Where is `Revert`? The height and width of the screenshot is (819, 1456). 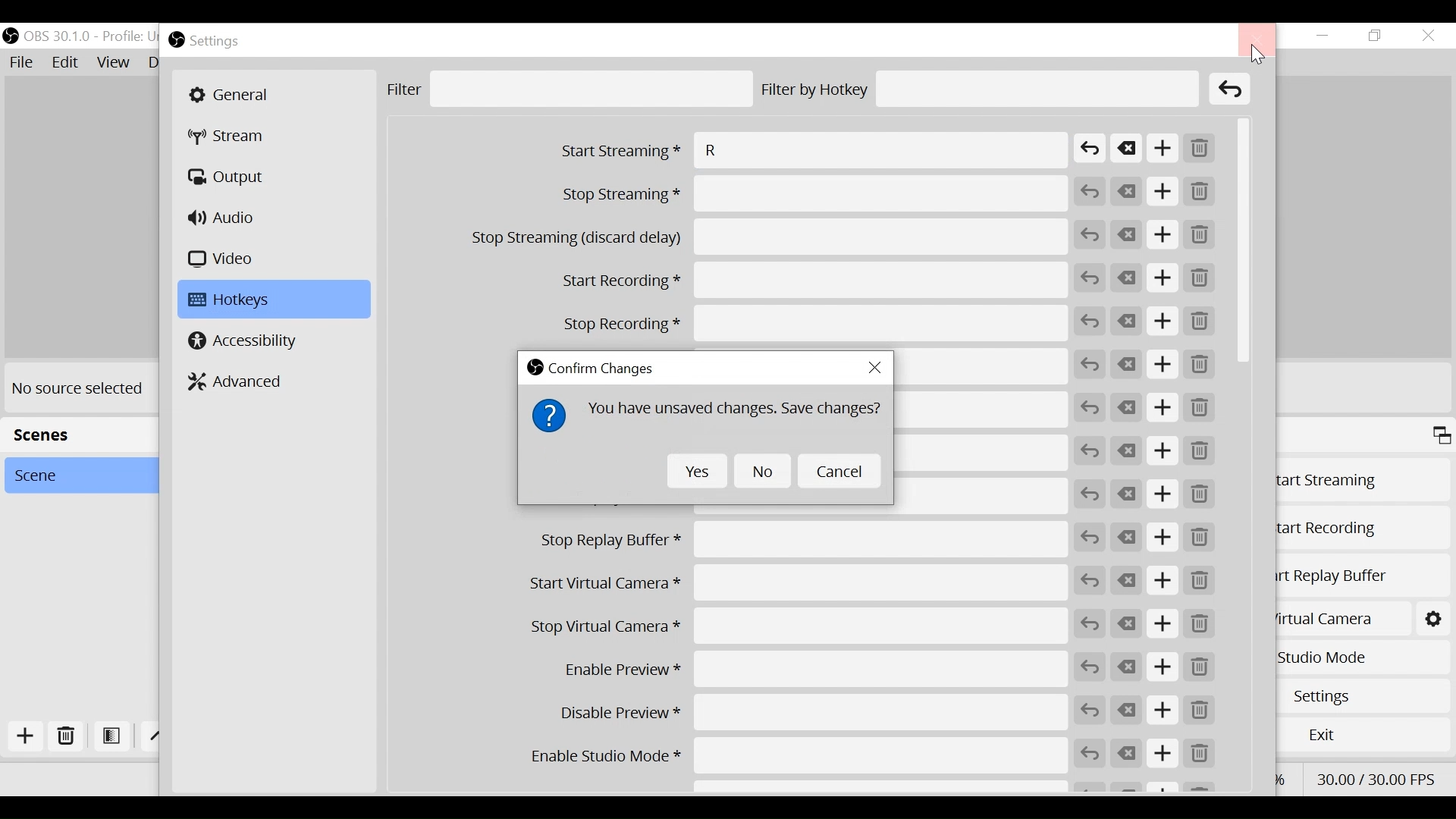 Revert is located at coordinates (1090, 494).